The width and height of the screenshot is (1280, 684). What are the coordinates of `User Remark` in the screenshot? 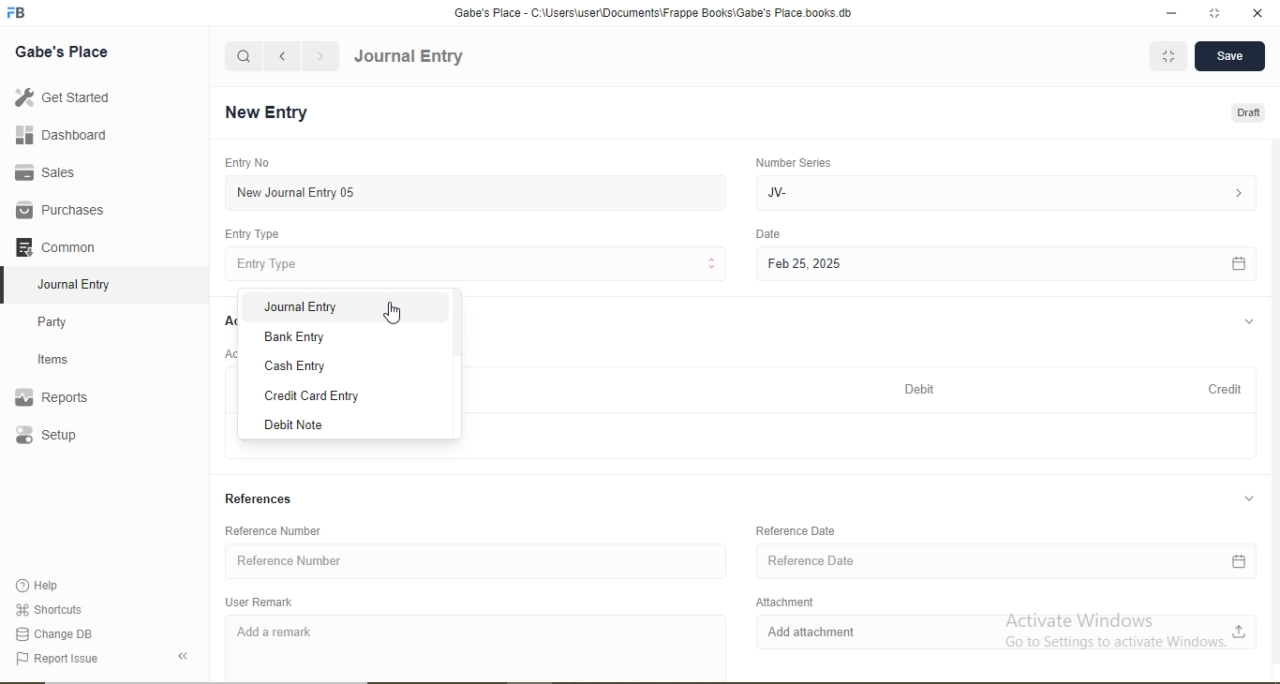 It's located at (262, 601).